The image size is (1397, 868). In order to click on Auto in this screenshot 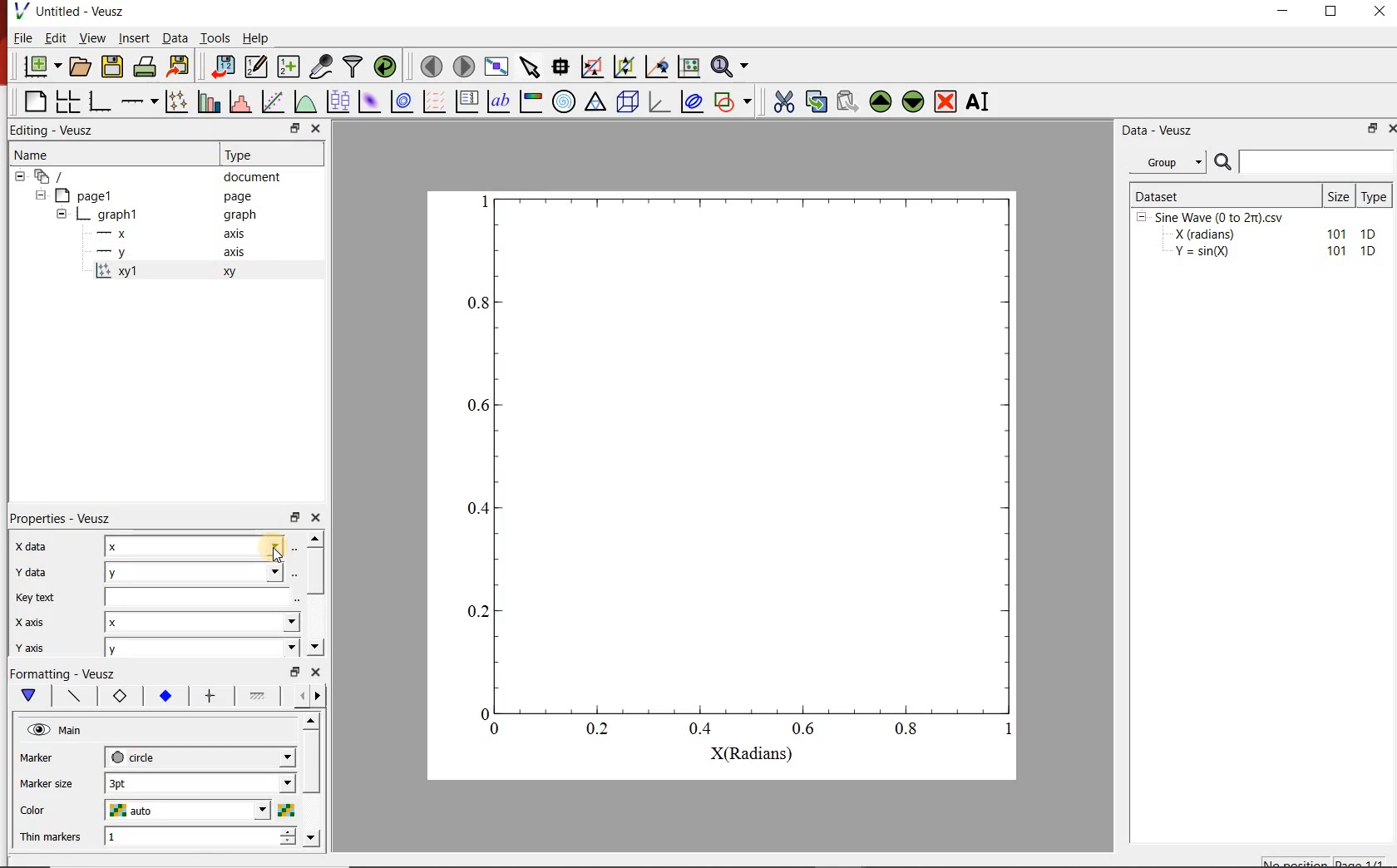, I will do `click(199, 596)`.